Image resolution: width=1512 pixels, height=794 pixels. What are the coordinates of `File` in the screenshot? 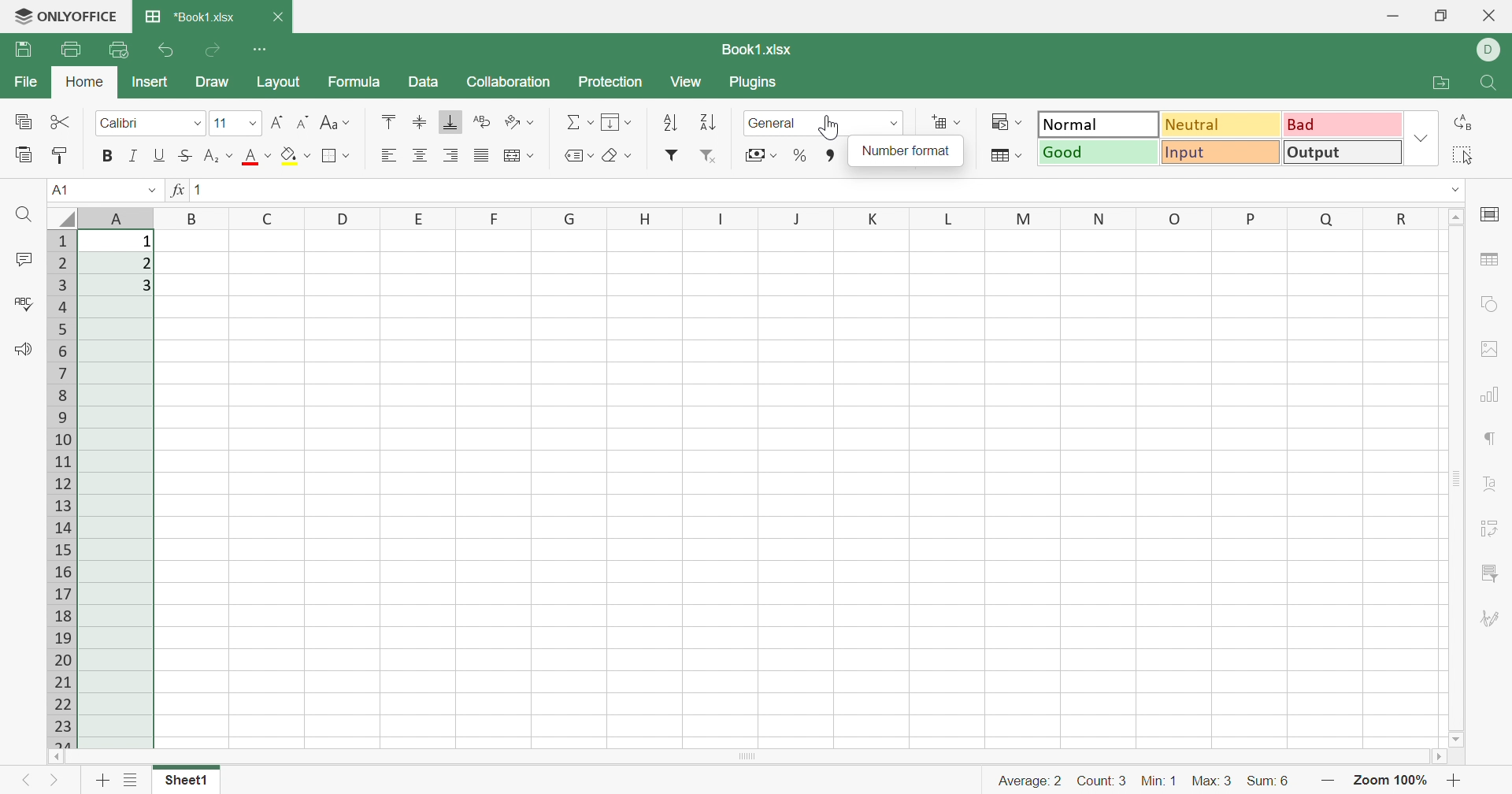 It's located at (29, 82).